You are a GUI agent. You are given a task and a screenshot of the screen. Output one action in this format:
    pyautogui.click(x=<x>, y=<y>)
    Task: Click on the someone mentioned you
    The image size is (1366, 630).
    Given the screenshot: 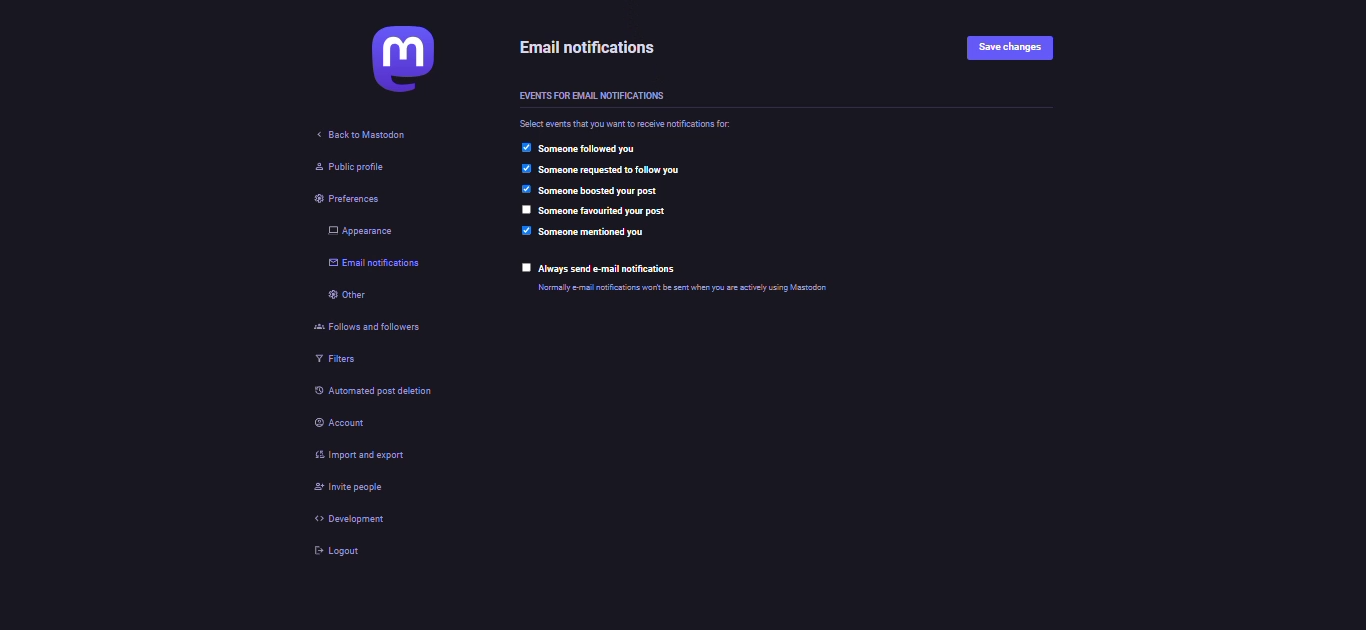 What is the action you would take?
    pyautogui.click(x=594, y=233)
    